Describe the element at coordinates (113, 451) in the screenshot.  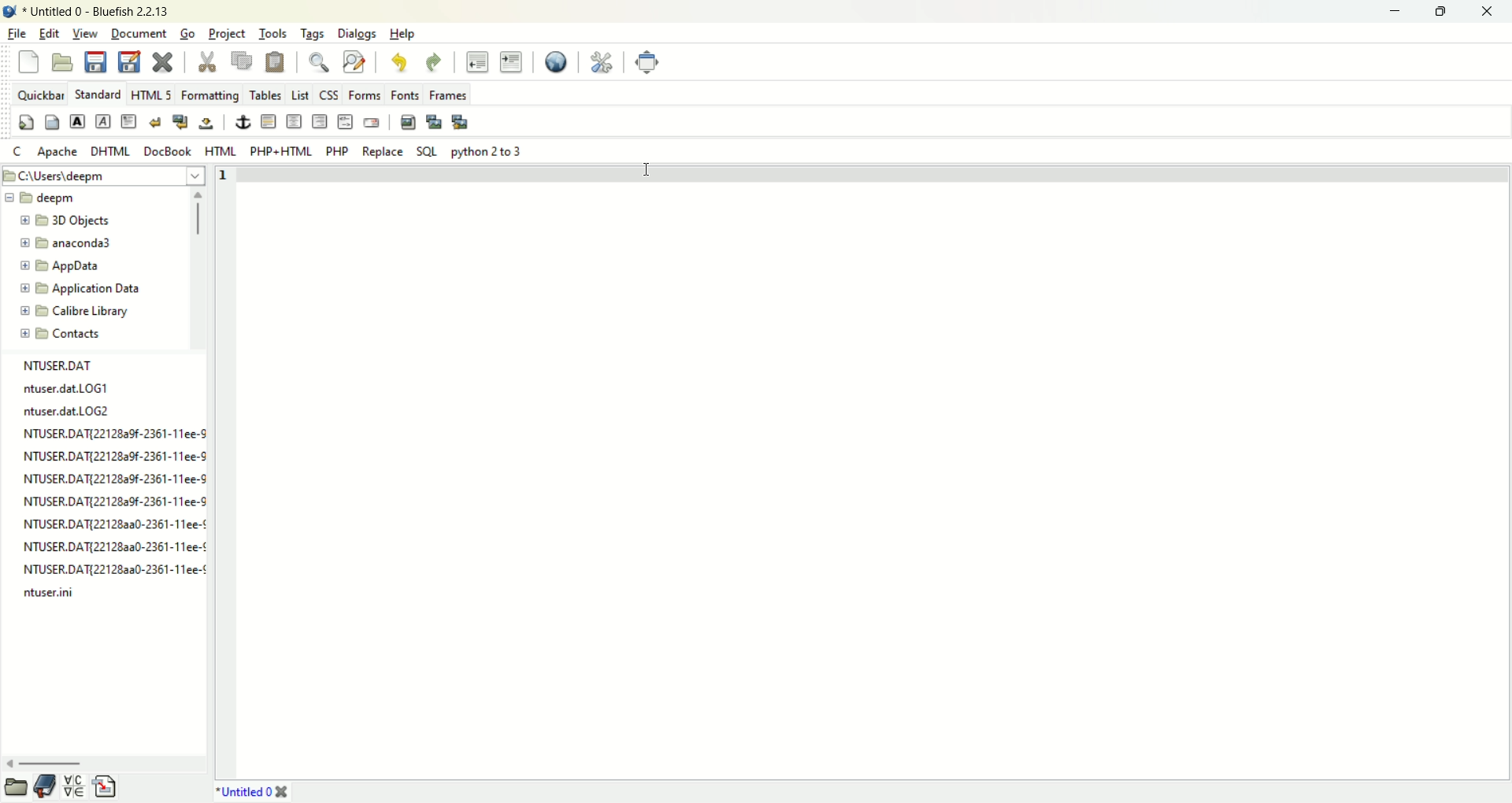
I see `NTUSER.DAT{22128a9f-2361-11ee-9` at that location.